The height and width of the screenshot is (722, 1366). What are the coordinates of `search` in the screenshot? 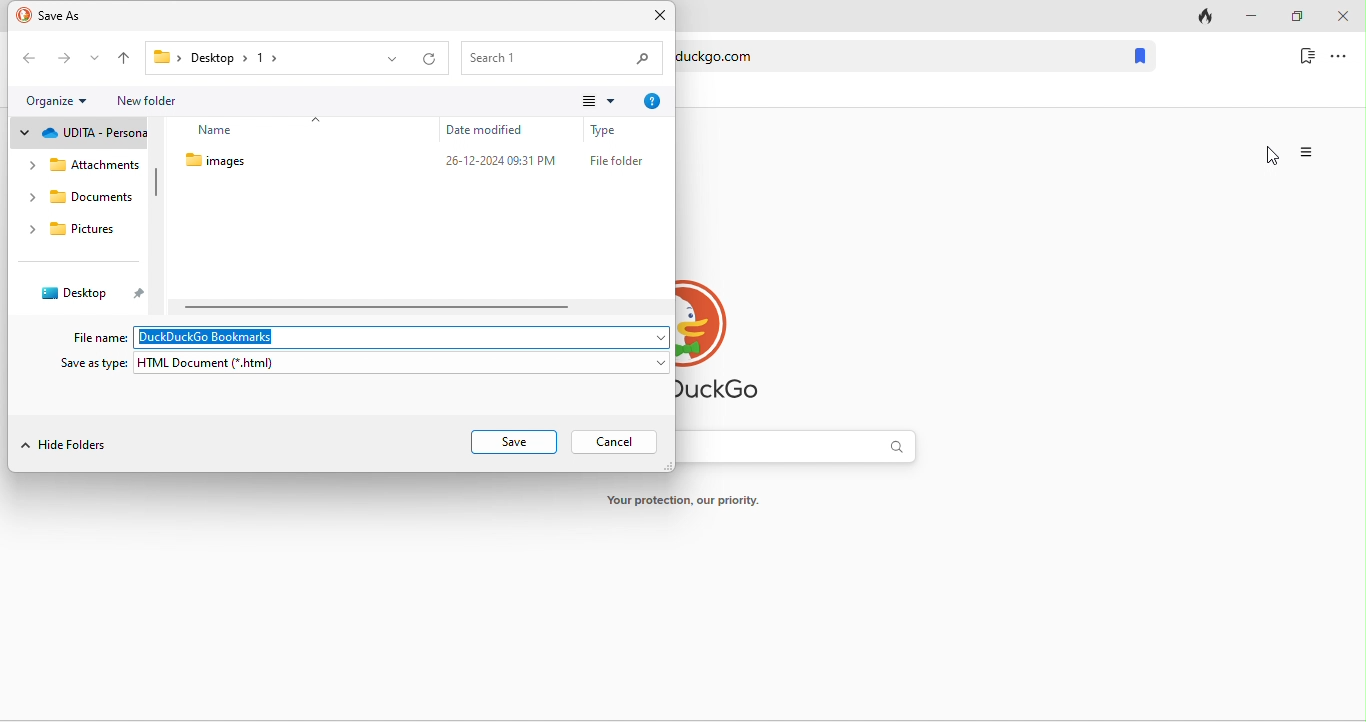 It's located at (562, 57).